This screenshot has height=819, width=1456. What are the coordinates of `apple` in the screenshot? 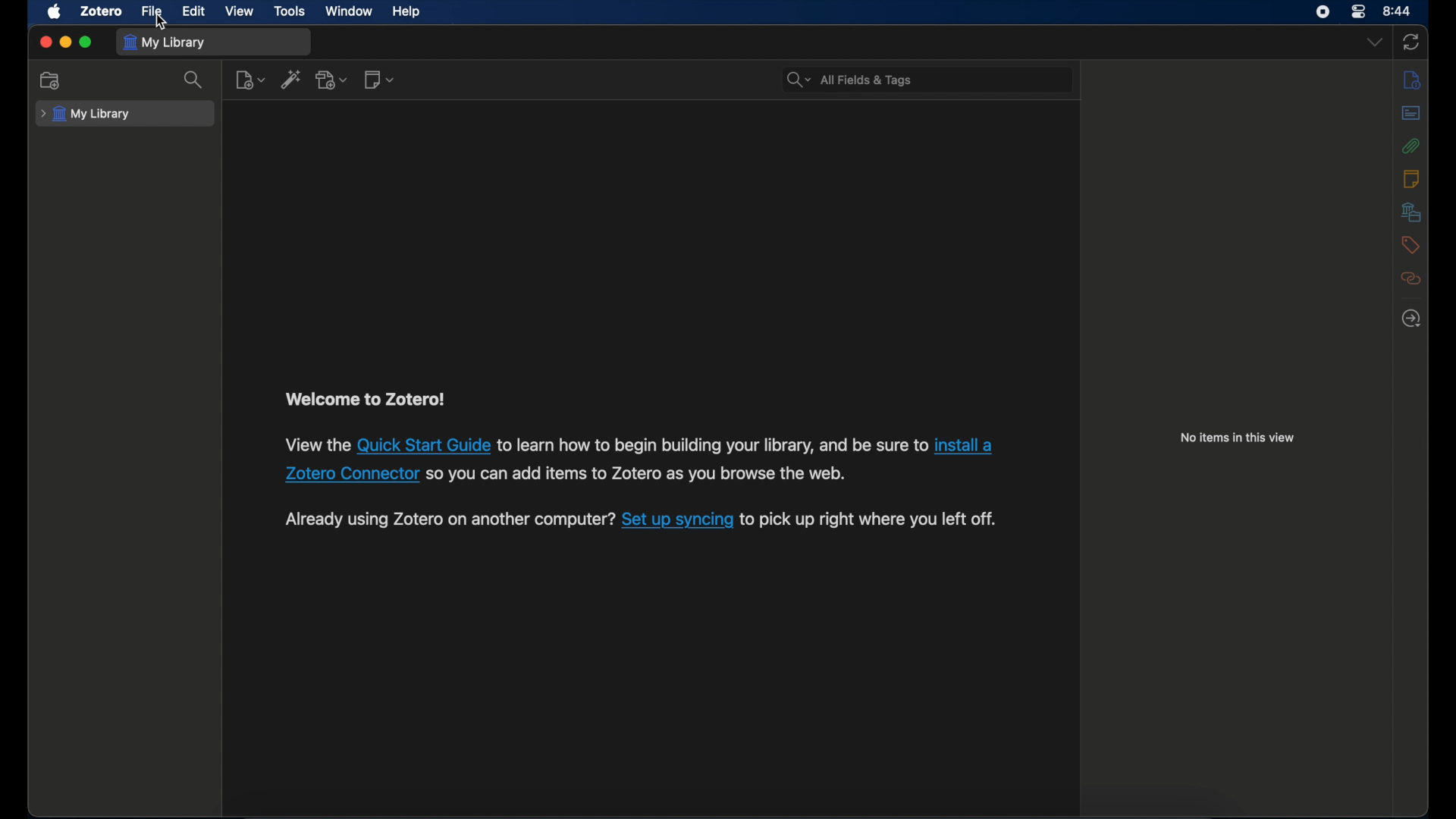 It's located at (55, 12).